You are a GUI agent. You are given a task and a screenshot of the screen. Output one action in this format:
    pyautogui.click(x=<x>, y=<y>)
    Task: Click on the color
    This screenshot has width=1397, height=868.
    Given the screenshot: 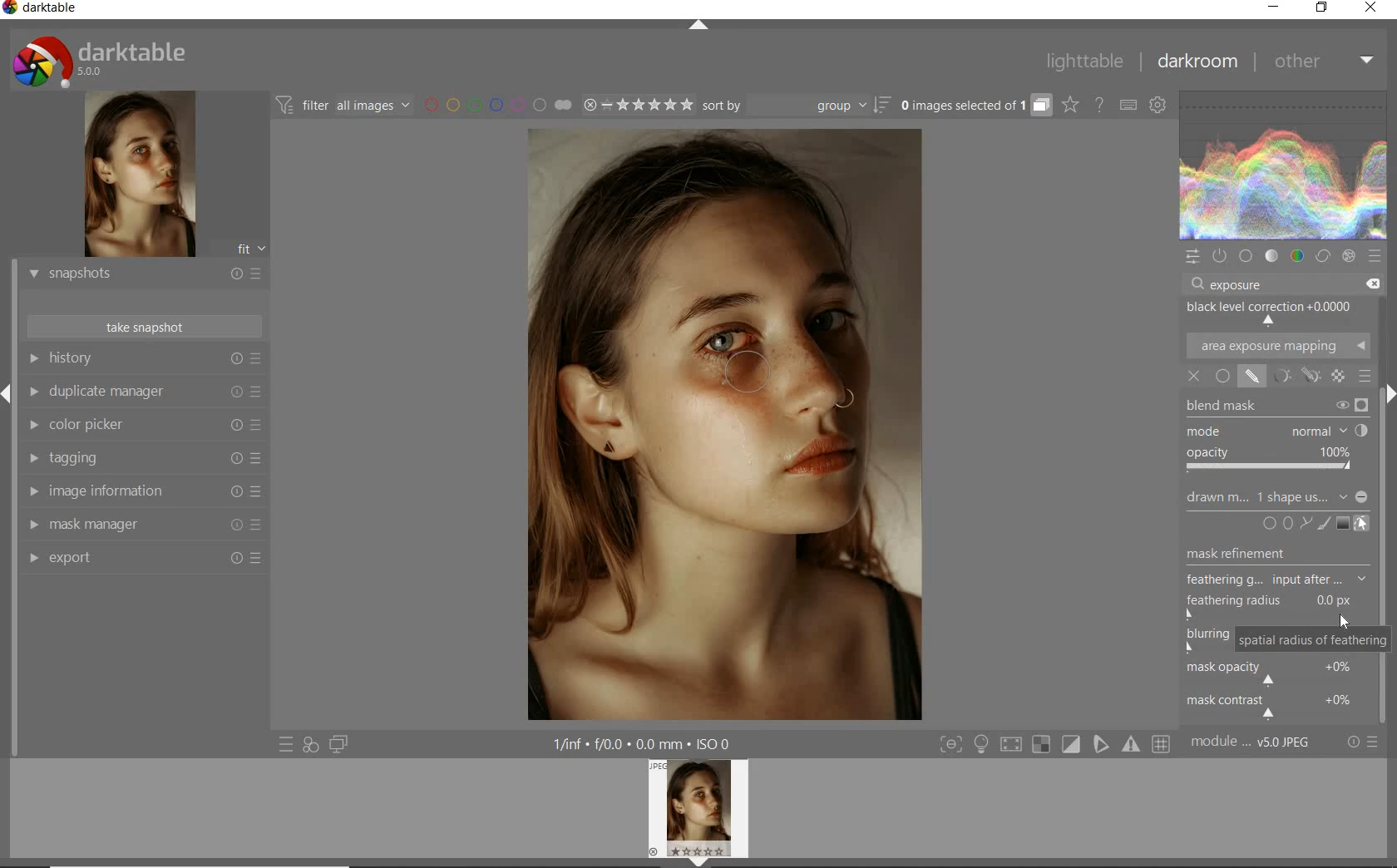 What is the action you would take?
    pyautogui.click(x=1298, y=255)
    